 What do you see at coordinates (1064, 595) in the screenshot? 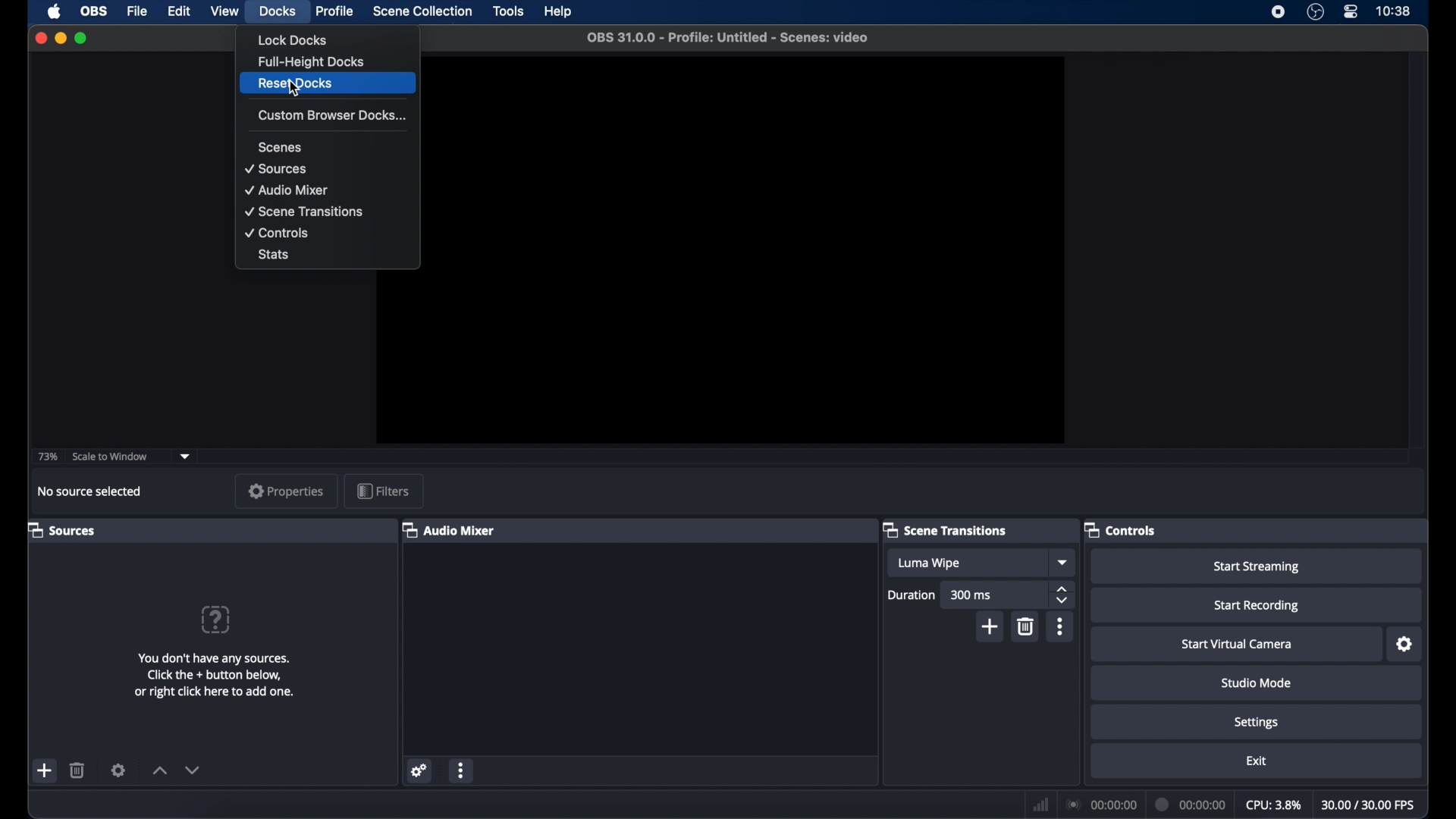
I see `stepper buttons` at bounding box center [1064, 595].